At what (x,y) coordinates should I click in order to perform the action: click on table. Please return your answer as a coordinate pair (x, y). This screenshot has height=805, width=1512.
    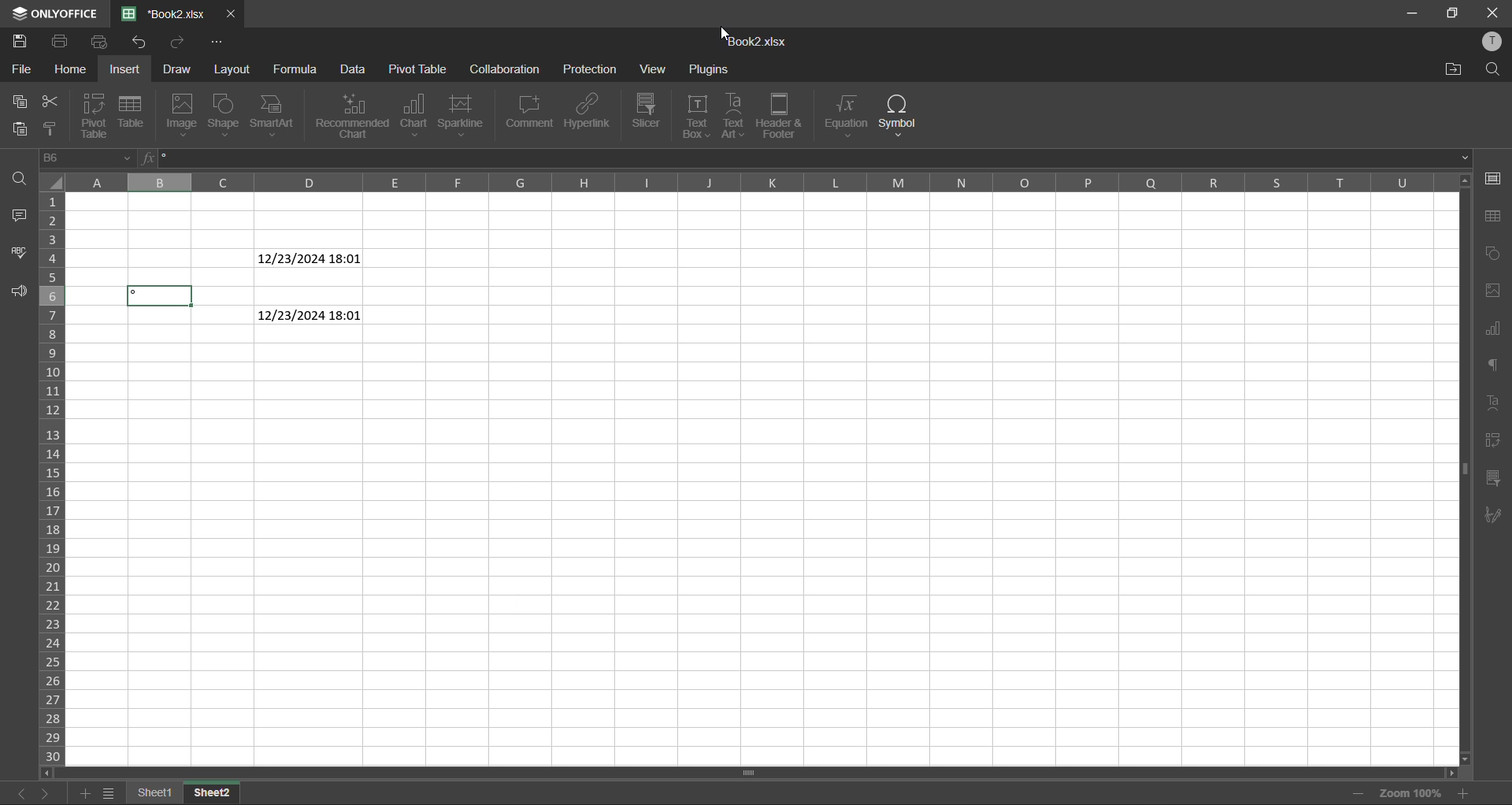
    Looking at the image, I should click on (1493, 217).